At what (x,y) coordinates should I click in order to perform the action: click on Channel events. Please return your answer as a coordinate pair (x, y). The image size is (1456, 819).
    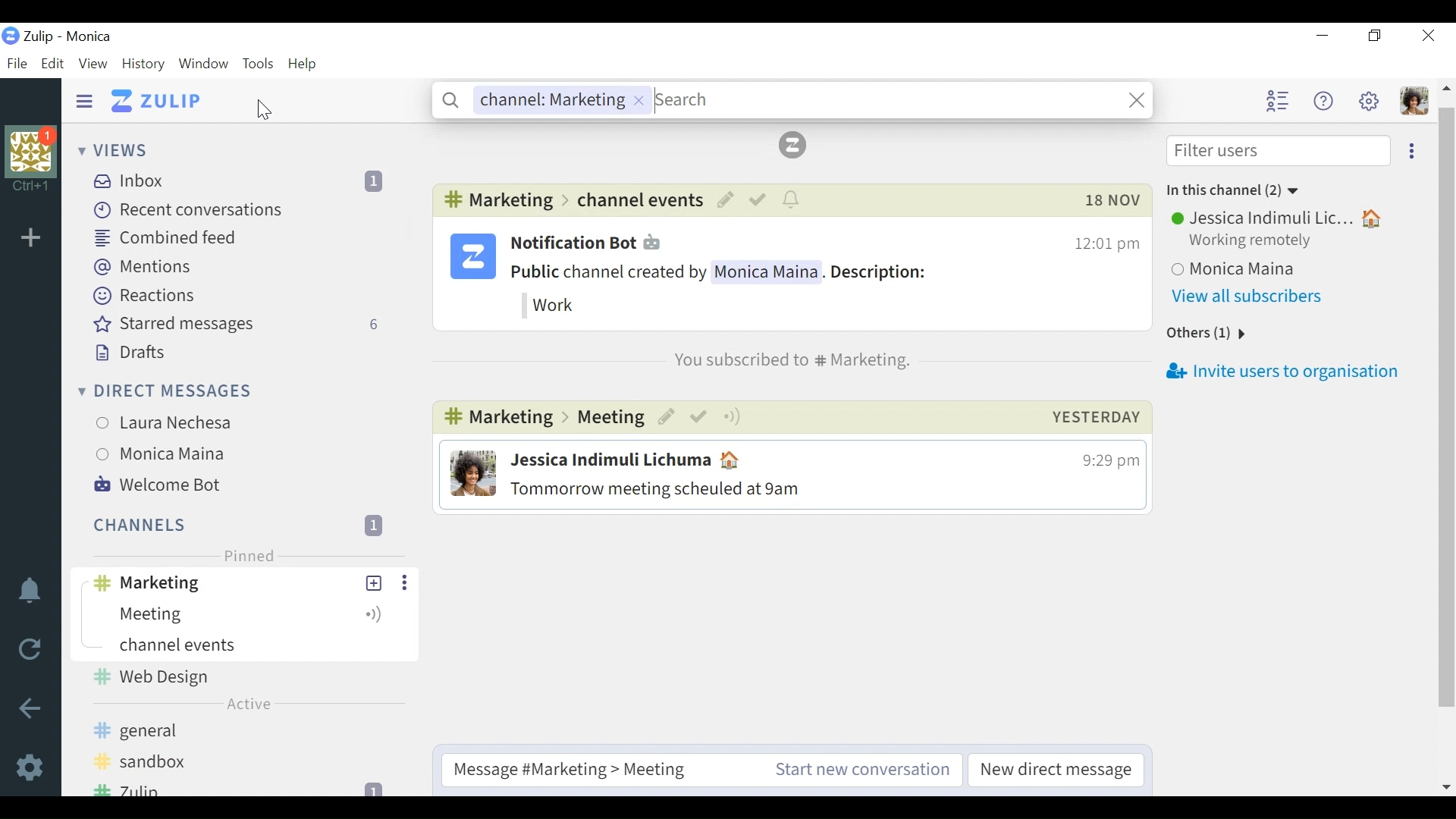
    Looking at the image, I should click on (265, 645).